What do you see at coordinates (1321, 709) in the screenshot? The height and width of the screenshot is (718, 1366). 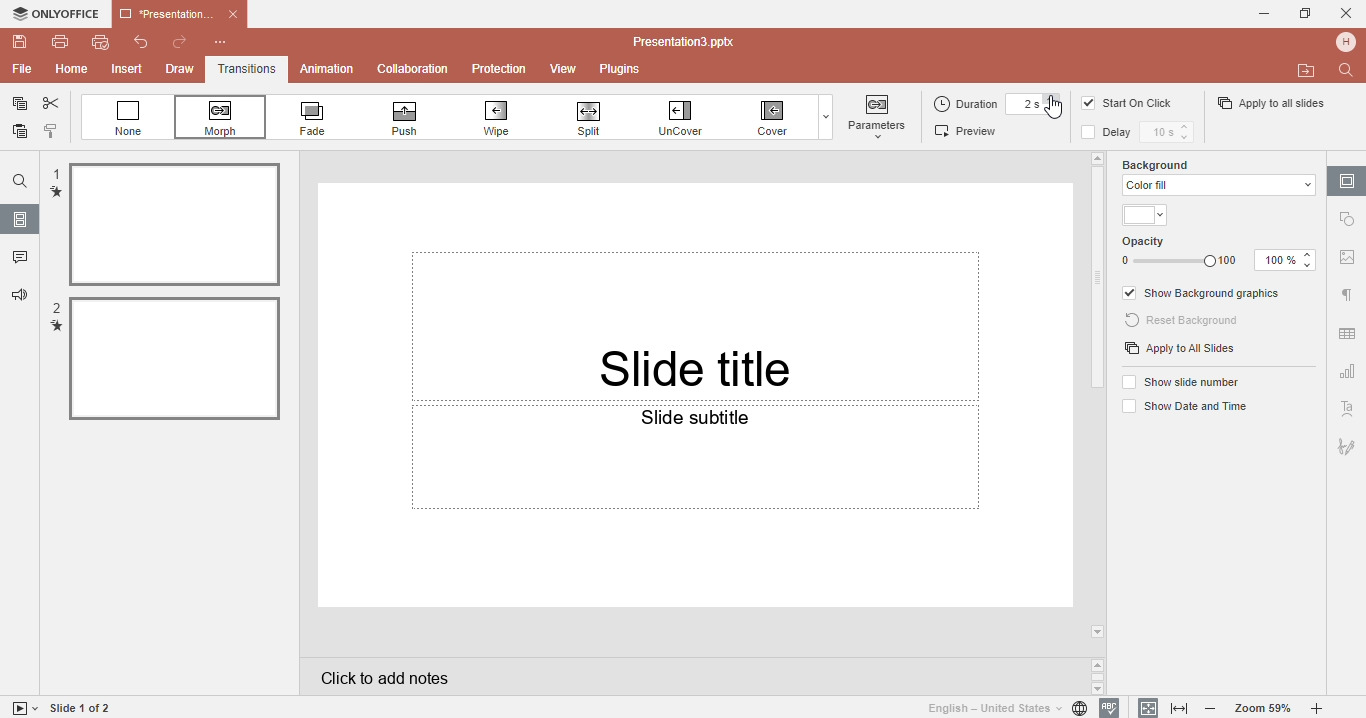 I see `Zoom in` at bounding box center [1321, 709].